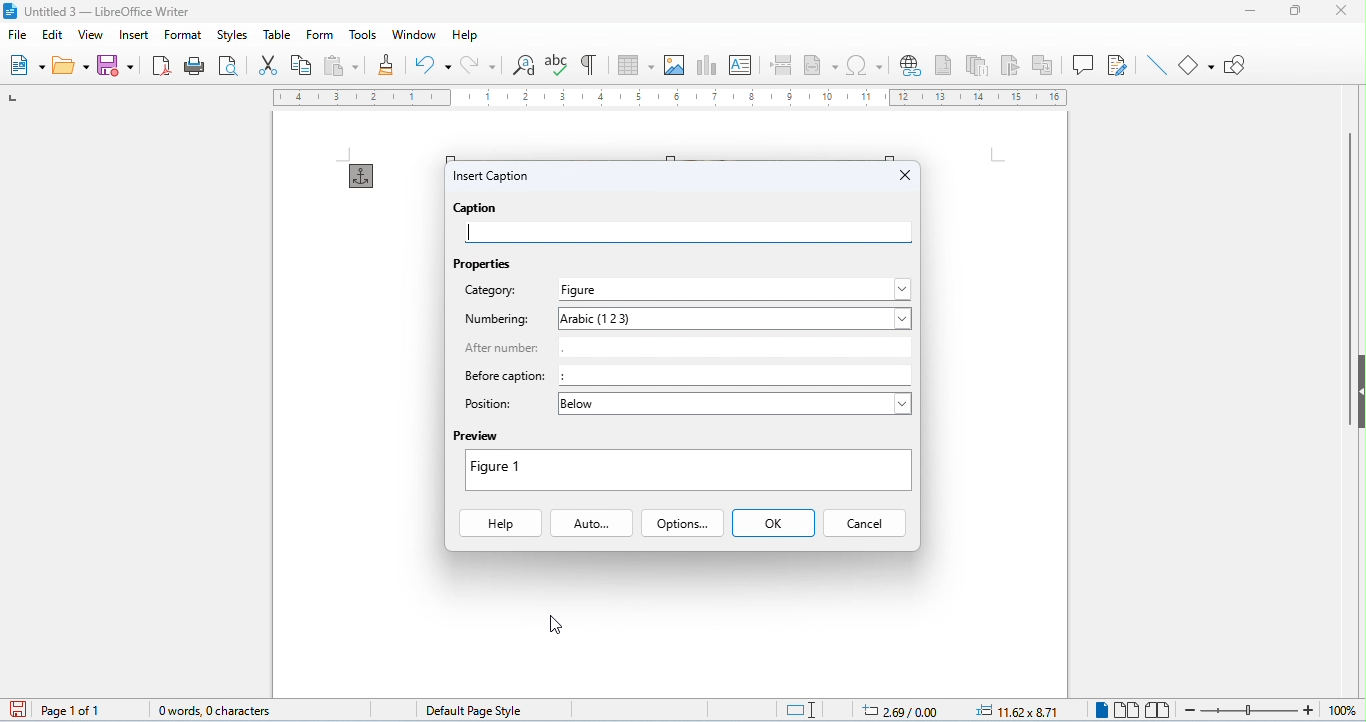 Image resolution: width=1366 pixels, height=722 pixels. What do you see at coordinates (1293, 12) in the screenshot?
I see `maximize` at bounding box center [1293, 12].